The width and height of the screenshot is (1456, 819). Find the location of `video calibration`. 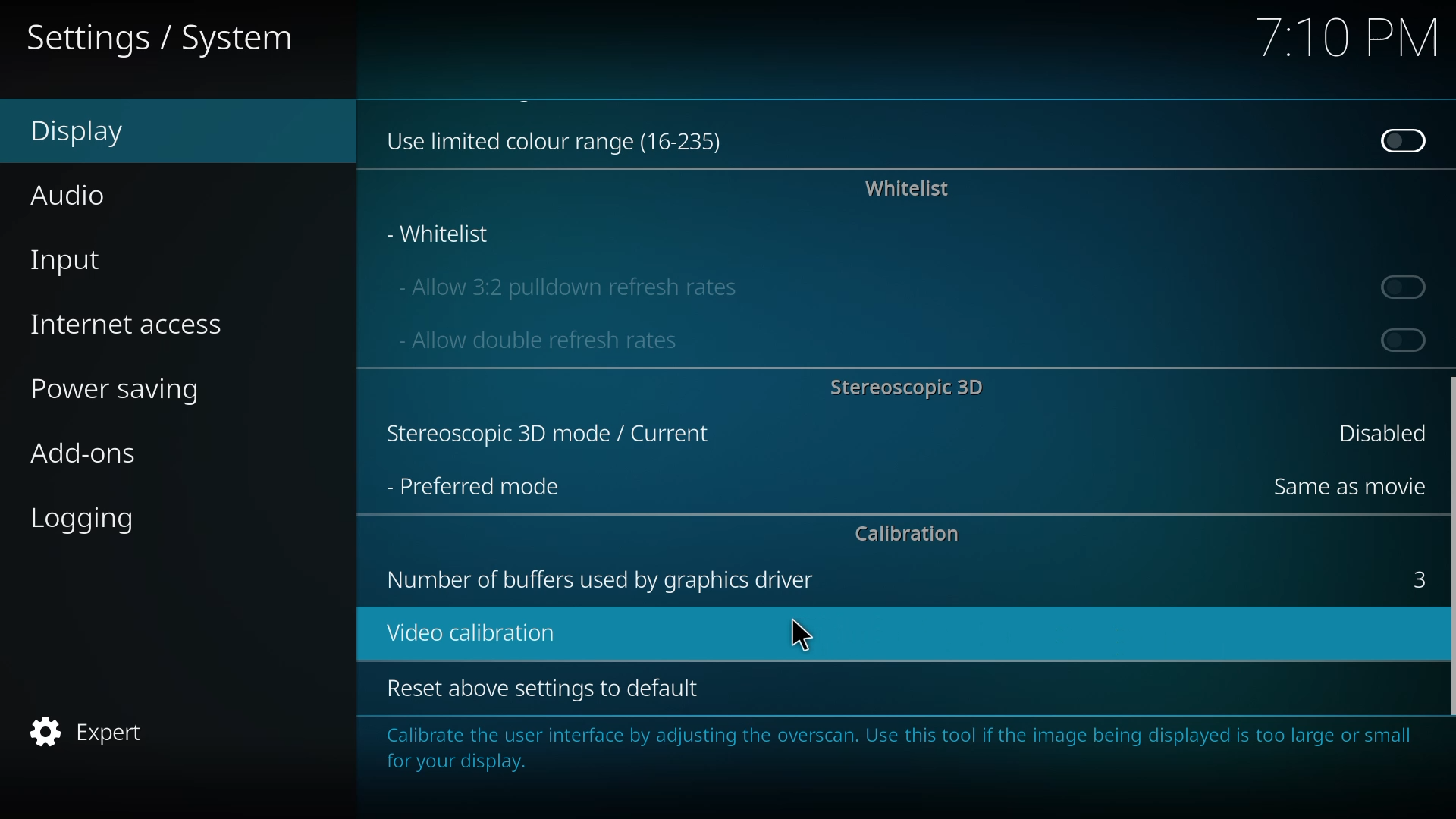

video calibration is located at coordinates (480, 632).